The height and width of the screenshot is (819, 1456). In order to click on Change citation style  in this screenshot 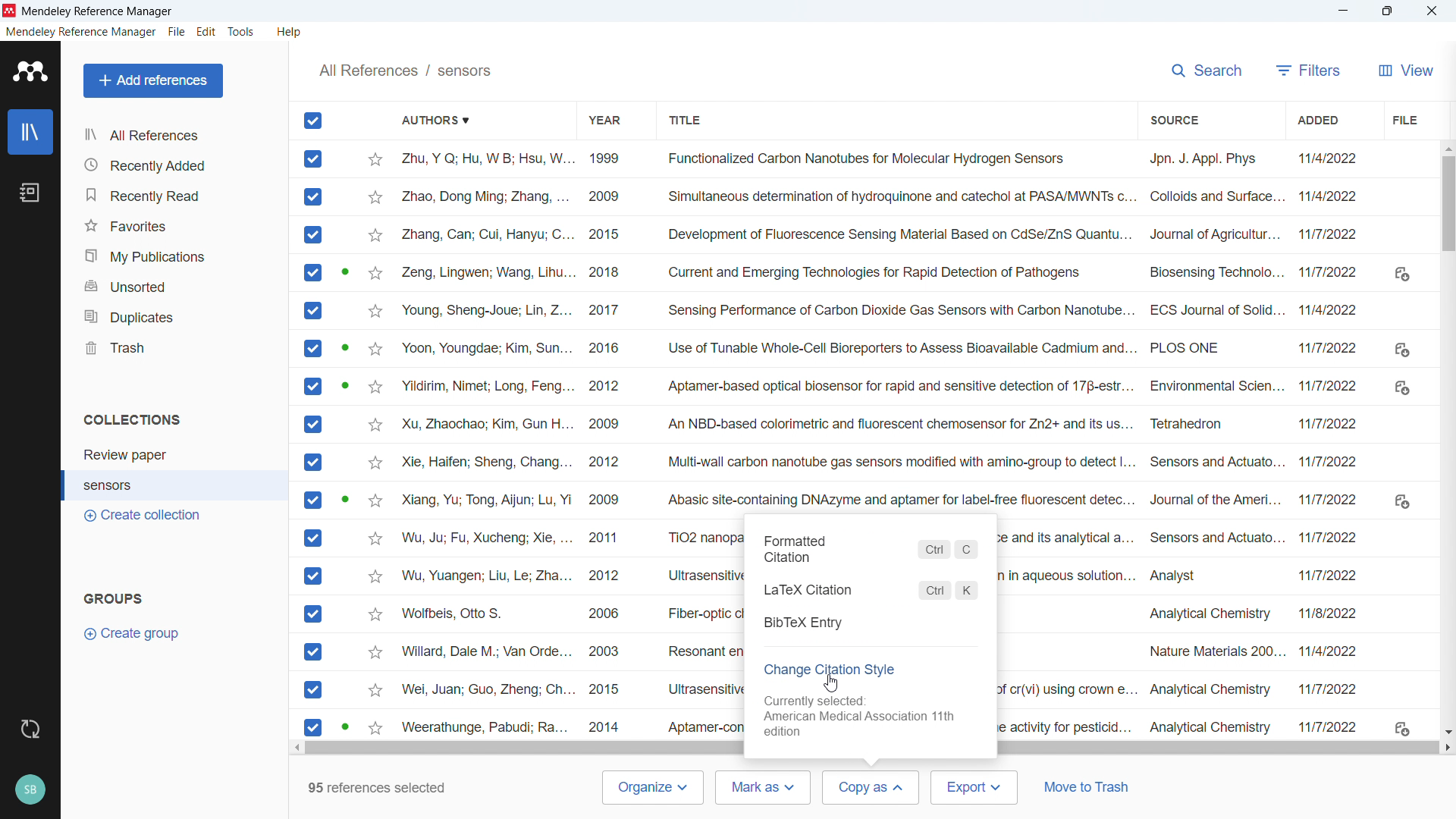, I will do `click(831, 669)`.